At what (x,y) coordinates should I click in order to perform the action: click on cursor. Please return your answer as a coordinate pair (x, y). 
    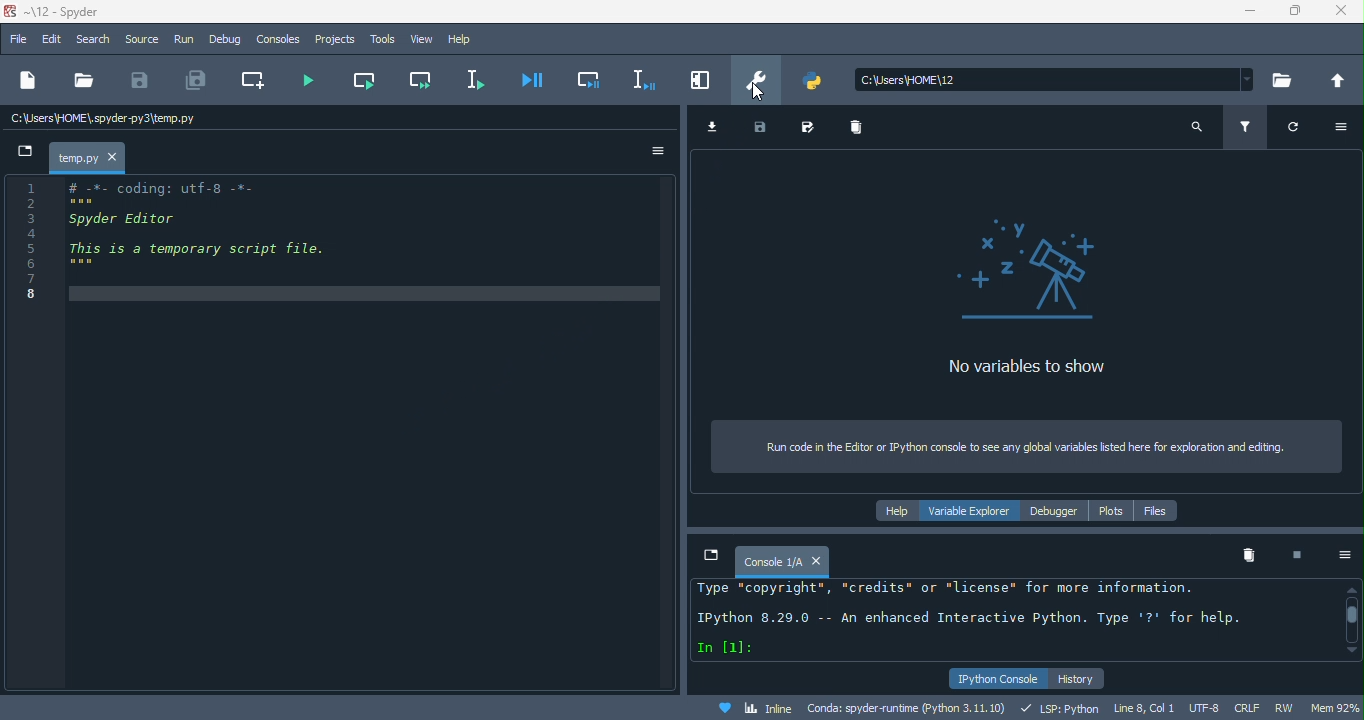
    Looking at the image, I should click on (758, 95).